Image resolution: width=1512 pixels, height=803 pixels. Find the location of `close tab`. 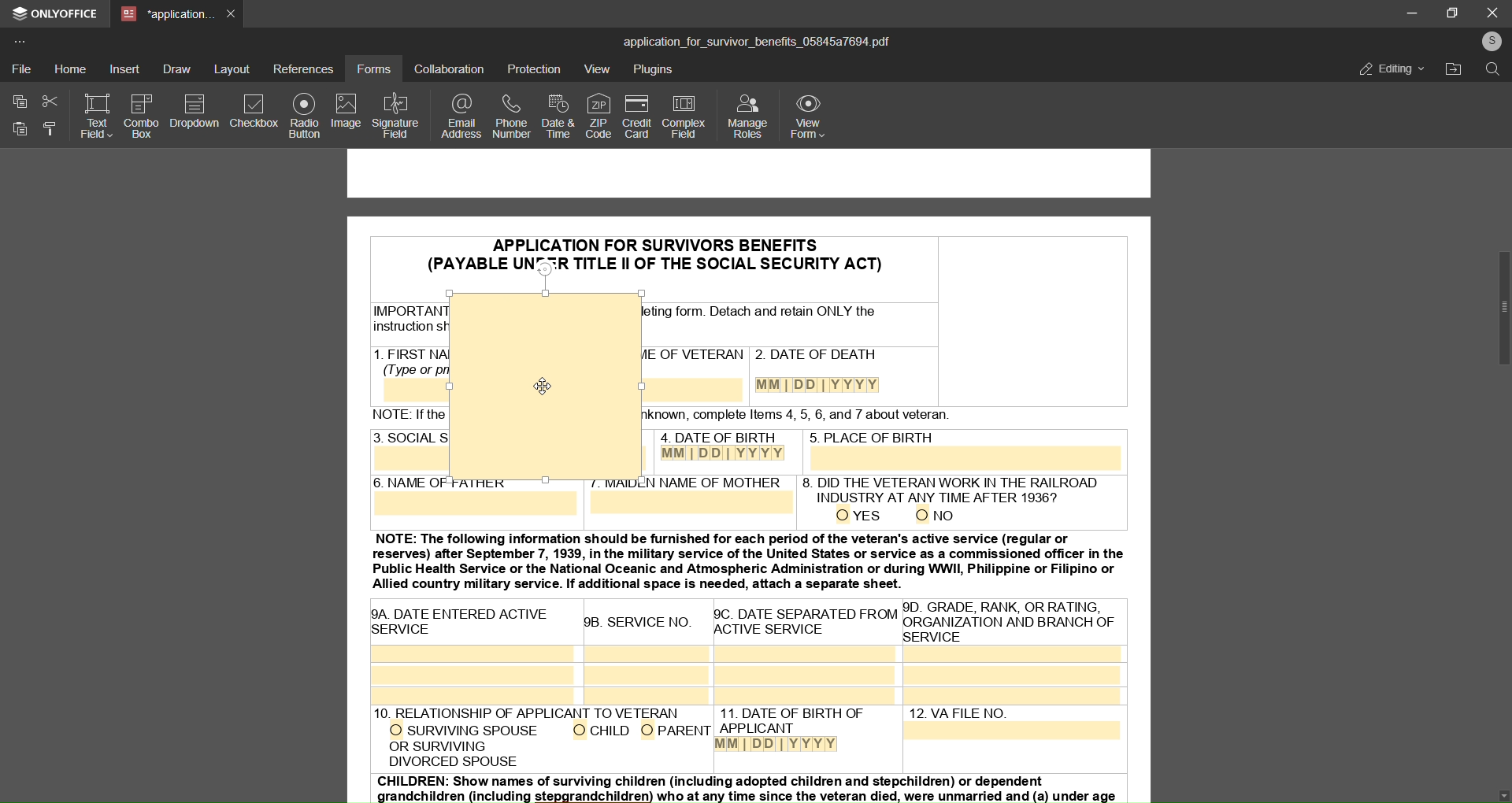

close tab is located at coordinates (232, 13).